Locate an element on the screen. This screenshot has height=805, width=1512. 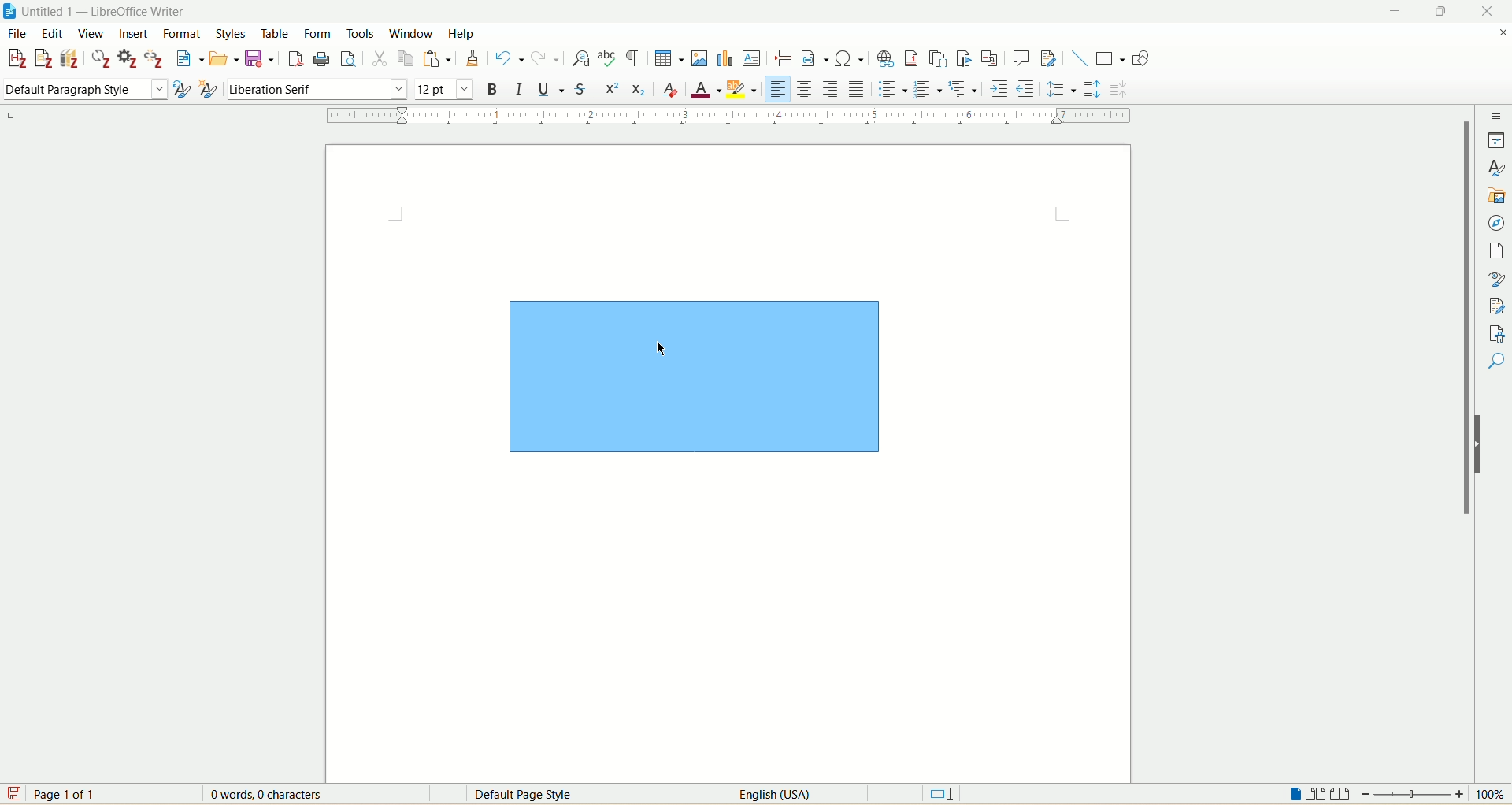
help is located at coordinates (460, 33).